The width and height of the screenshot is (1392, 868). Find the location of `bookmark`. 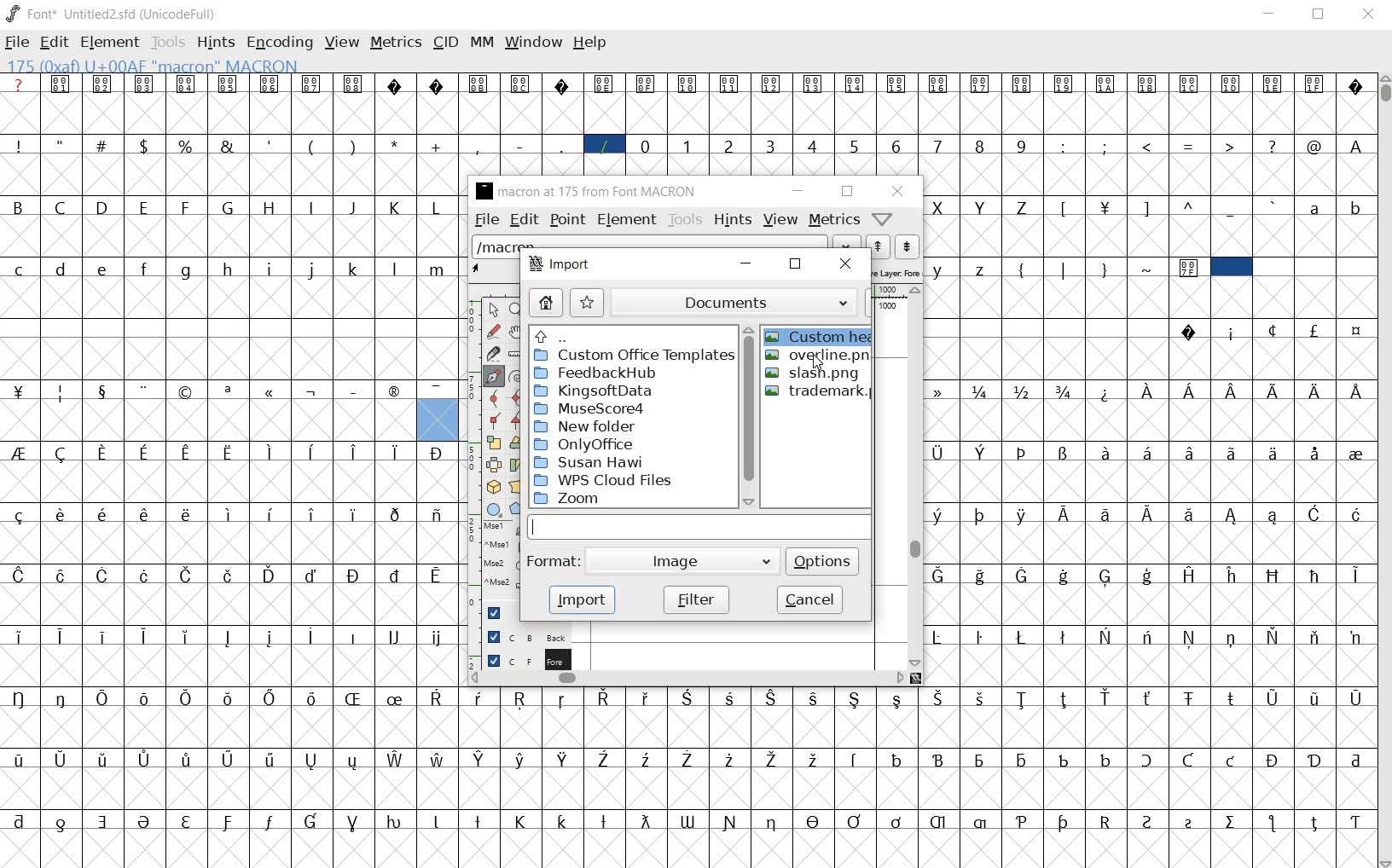

bookmark is located at coordinates (588, 302).